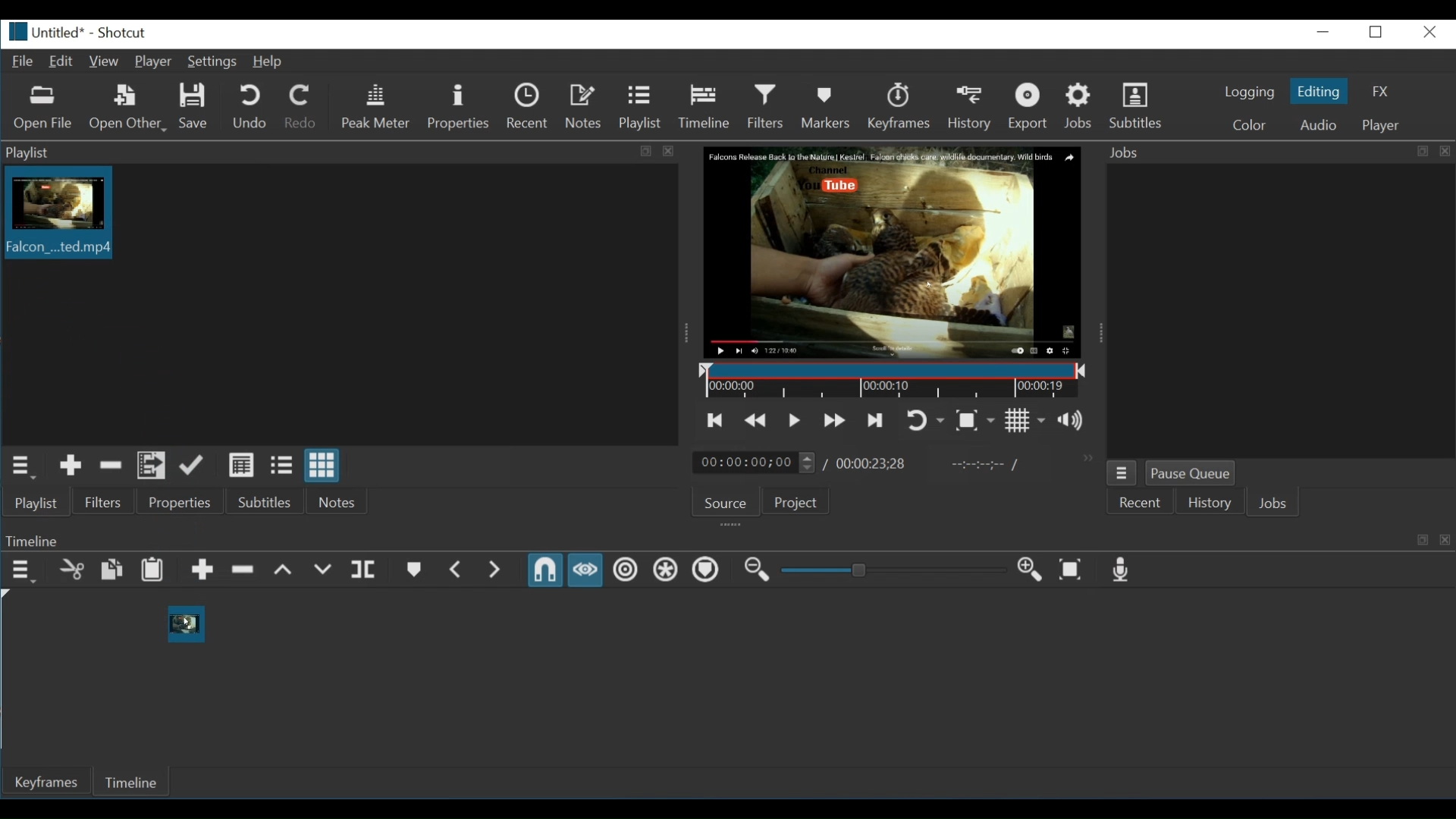 The height and width of the screenshot is (819, 1456). Describe the element at coordinates (1379, 91) in the screenshot. I see `FX` at that location.